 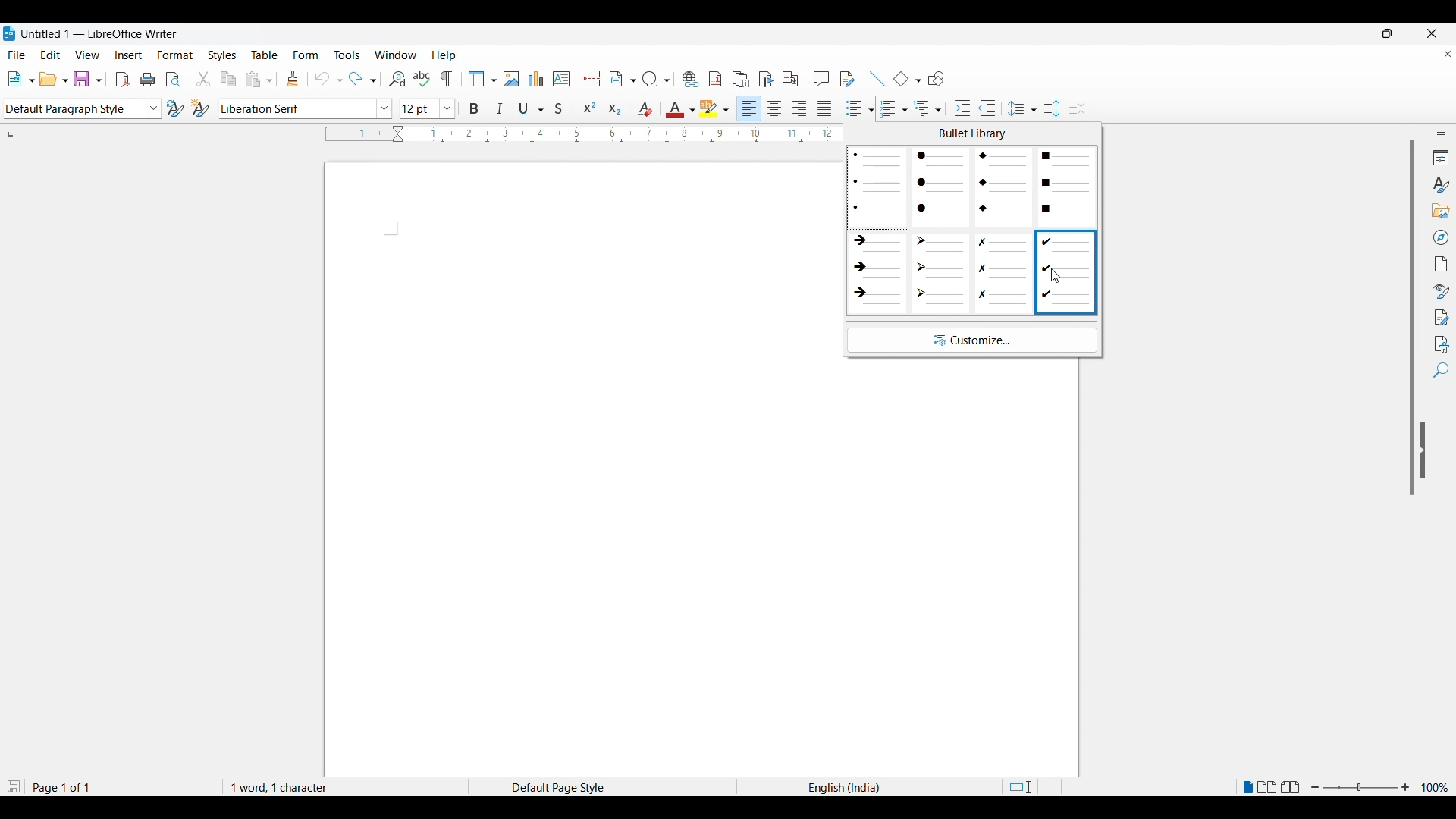 I want to click on Check unordered bullets, so click(x=1066, y=271).